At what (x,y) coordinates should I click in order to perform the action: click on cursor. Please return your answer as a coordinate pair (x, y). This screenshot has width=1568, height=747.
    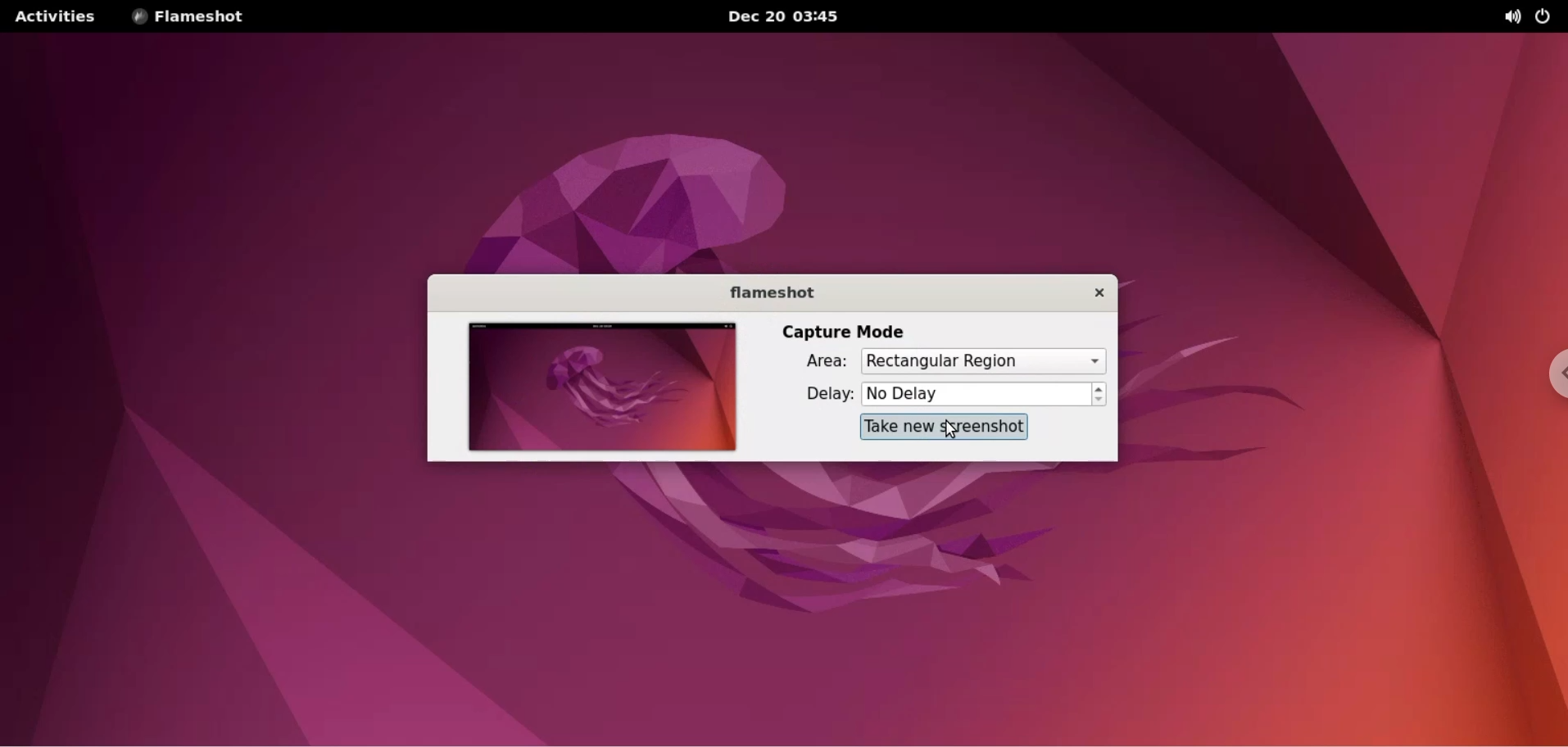
    Looking at the image, I should click on (949, 432).